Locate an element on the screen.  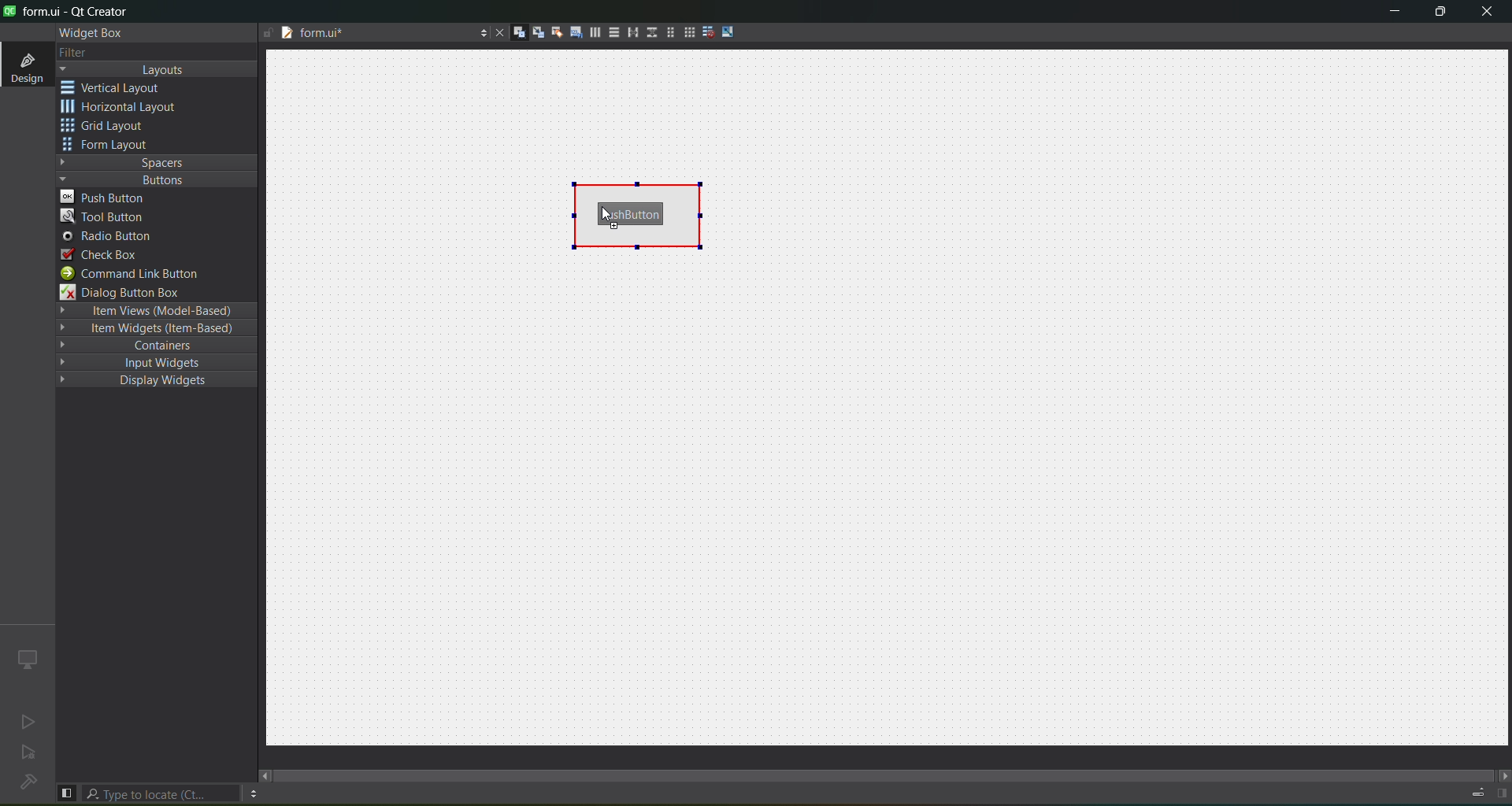
display widgets is located at coordinates (145, 381).